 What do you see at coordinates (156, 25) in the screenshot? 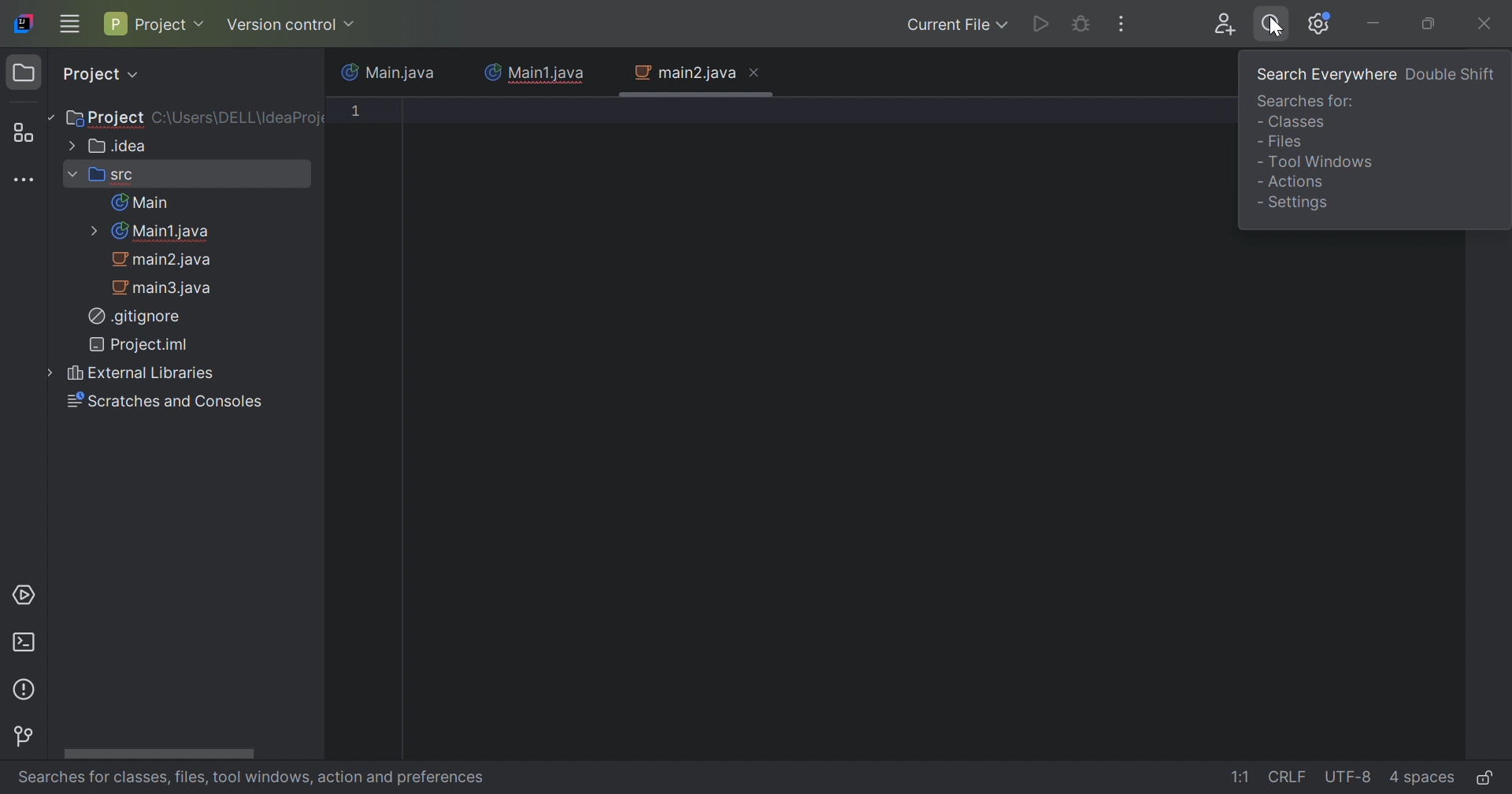
I see `Project` at bounding box center [156, 25].